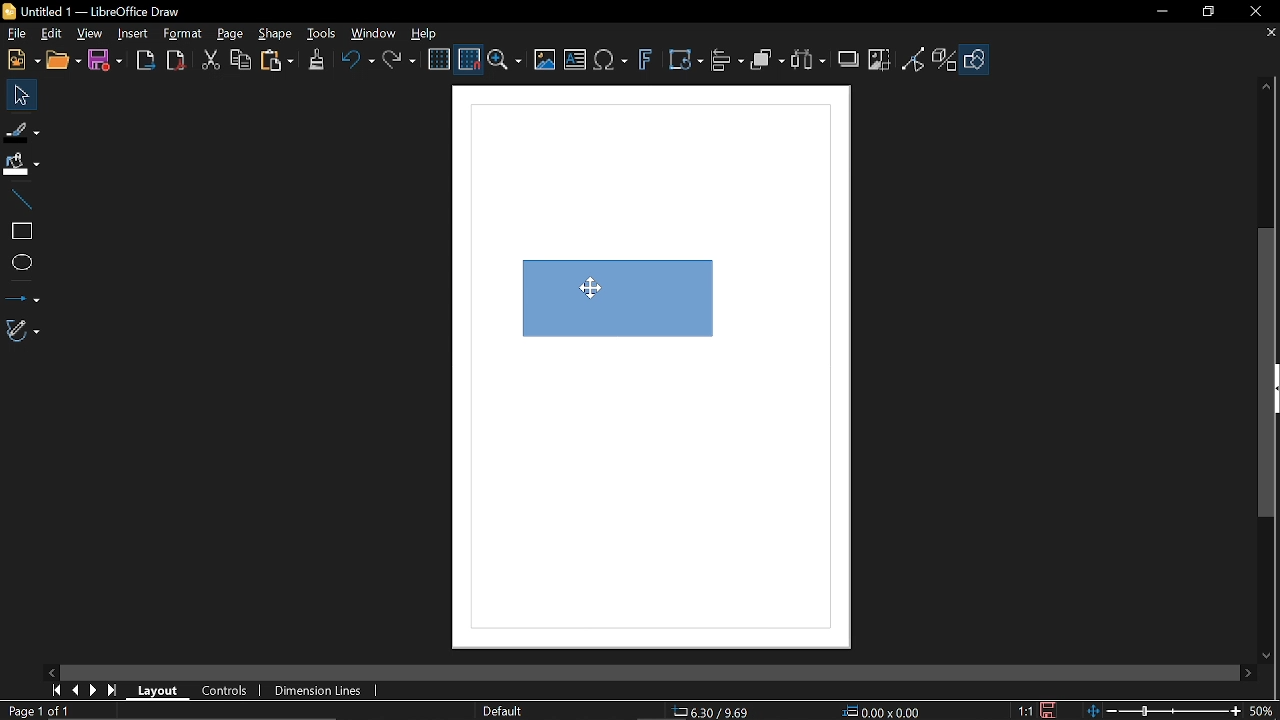 The width and height of the screenshot is (1280, 720). I want to click on Move down, so click(1270, 656).